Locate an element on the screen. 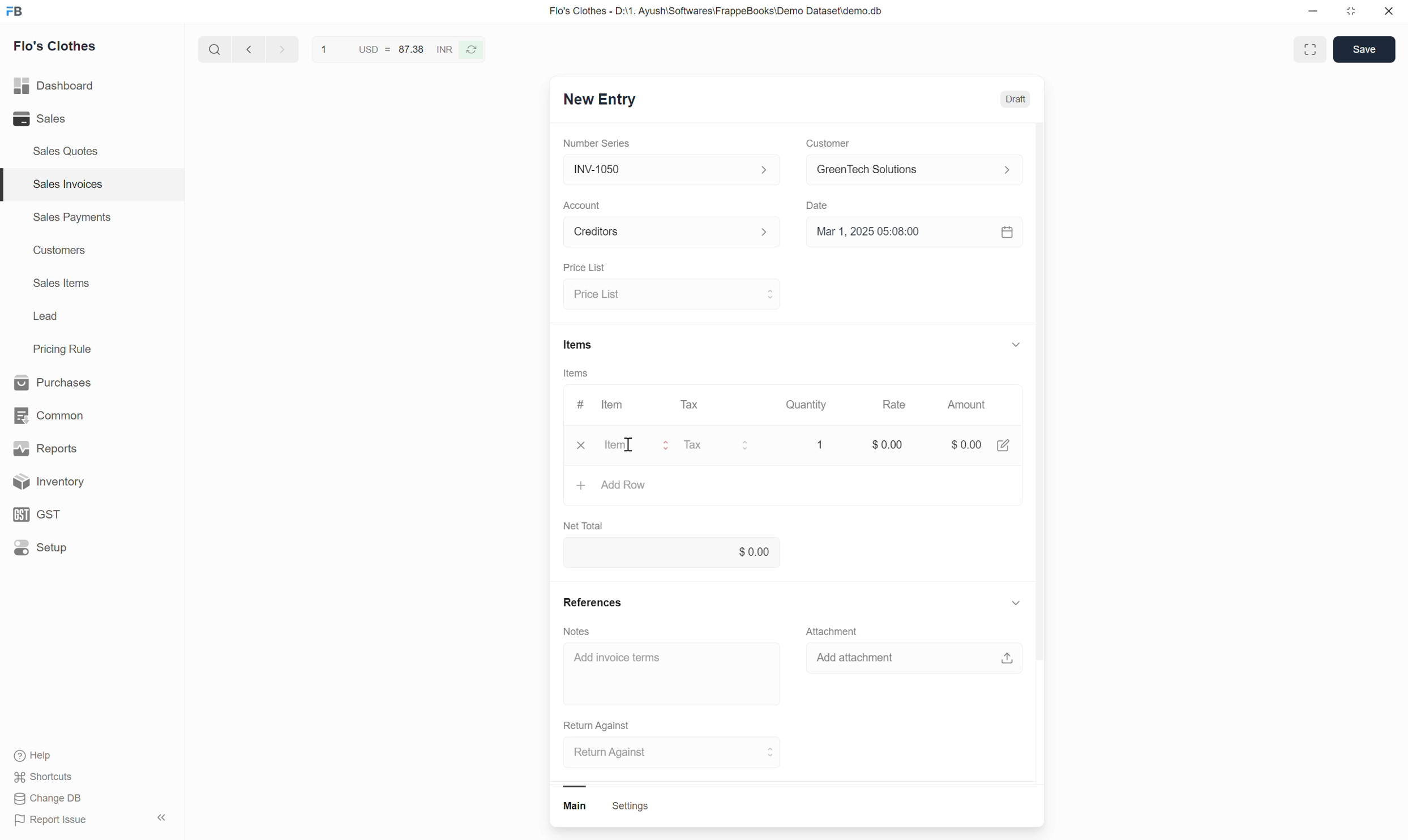 The width and height of the screenshot is (1408, 840). References is located at coordinates (592, 602).